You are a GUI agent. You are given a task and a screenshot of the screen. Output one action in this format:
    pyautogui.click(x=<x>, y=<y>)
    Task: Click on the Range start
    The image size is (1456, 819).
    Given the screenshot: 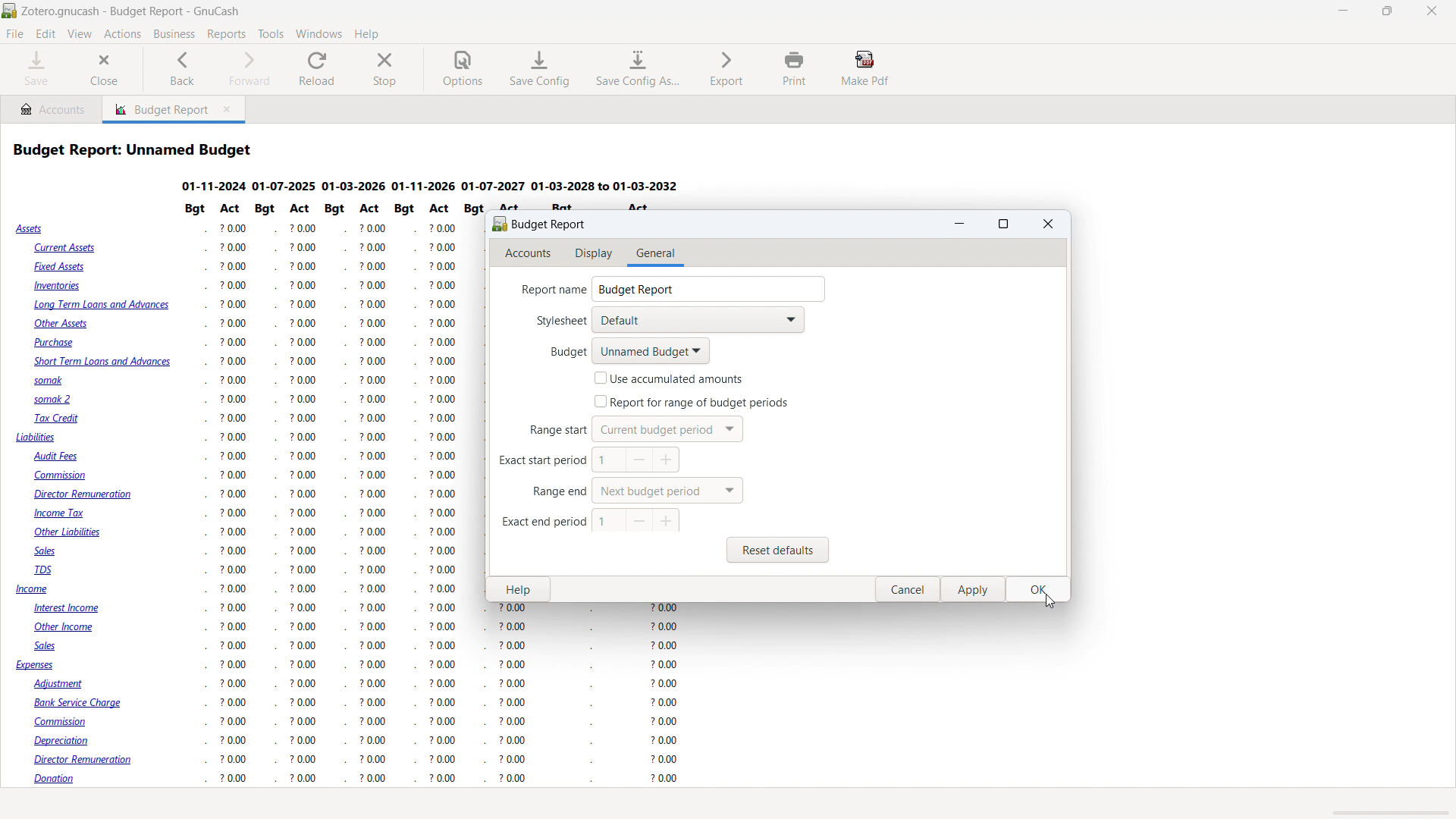 What is the action you would take?
    pyautogui.click(x=548, y=431)
    